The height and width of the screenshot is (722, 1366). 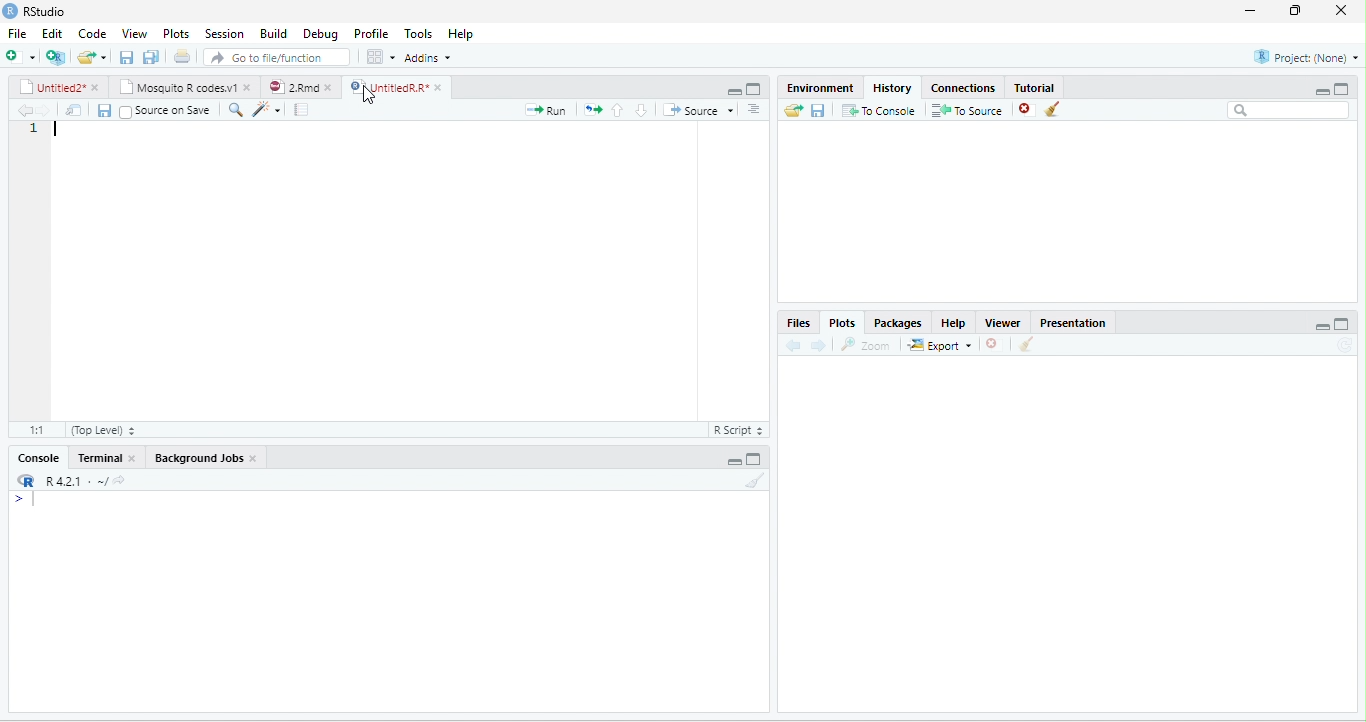 I want to click on viewer, so click(x=1001, y=320).